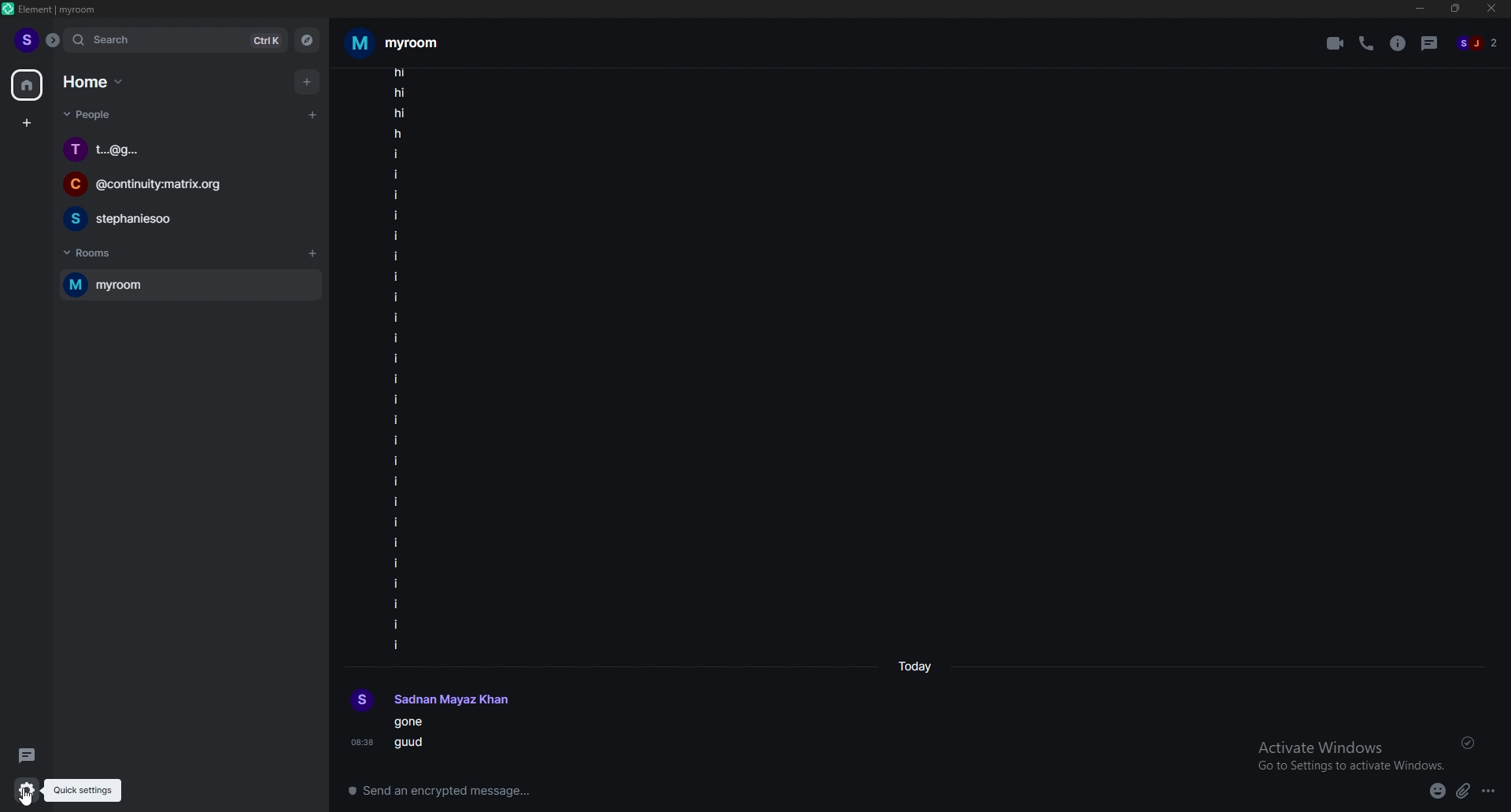  Describe the element at coordinates (95, 254) in the screenshot. I see `rooms` at that location.